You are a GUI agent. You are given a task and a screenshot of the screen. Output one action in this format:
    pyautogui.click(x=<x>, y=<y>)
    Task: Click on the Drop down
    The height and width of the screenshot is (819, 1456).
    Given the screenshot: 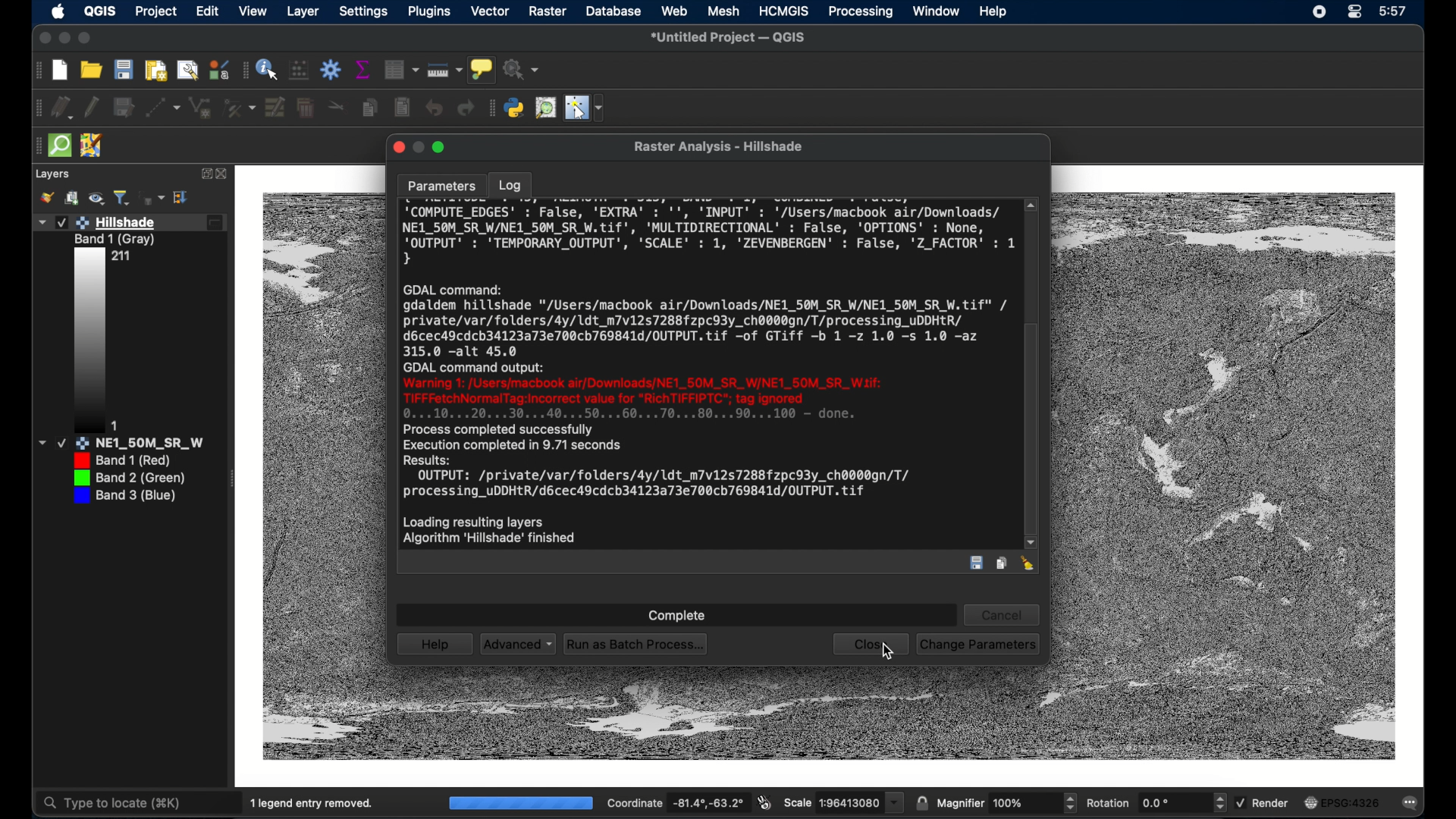 What is the action you would take?
    pyautogui.click(x=45, y=221)
    